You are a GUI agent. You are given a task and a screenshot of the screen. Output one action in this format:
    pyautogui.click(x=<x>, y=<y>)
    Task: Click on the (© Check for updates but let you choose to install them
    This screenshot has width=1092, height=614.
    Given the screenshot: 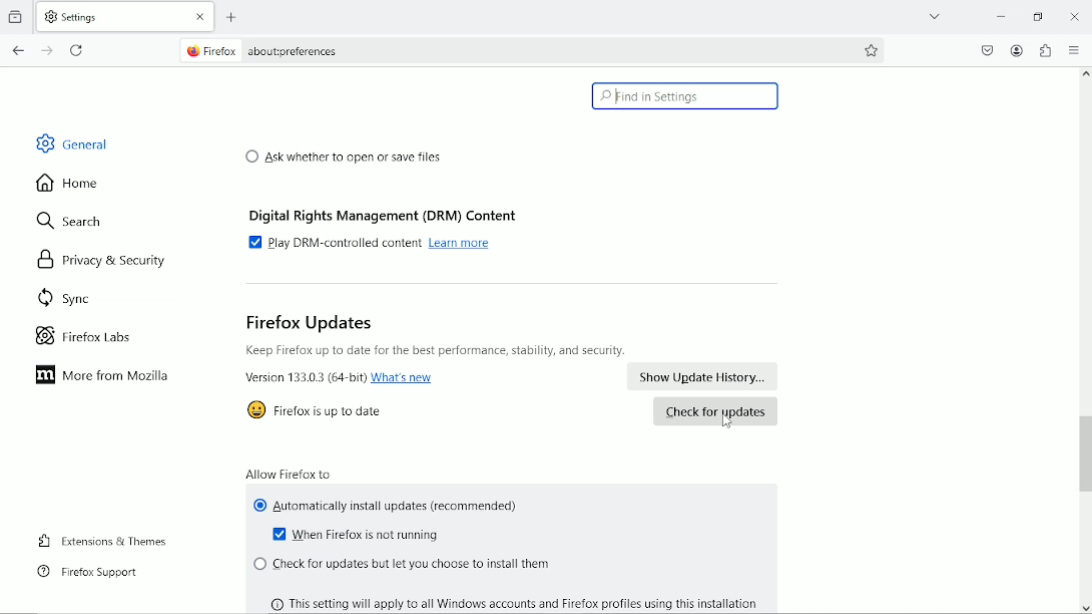 What is the action you would take?
    pyautogui.click(x=401, y=565)
    